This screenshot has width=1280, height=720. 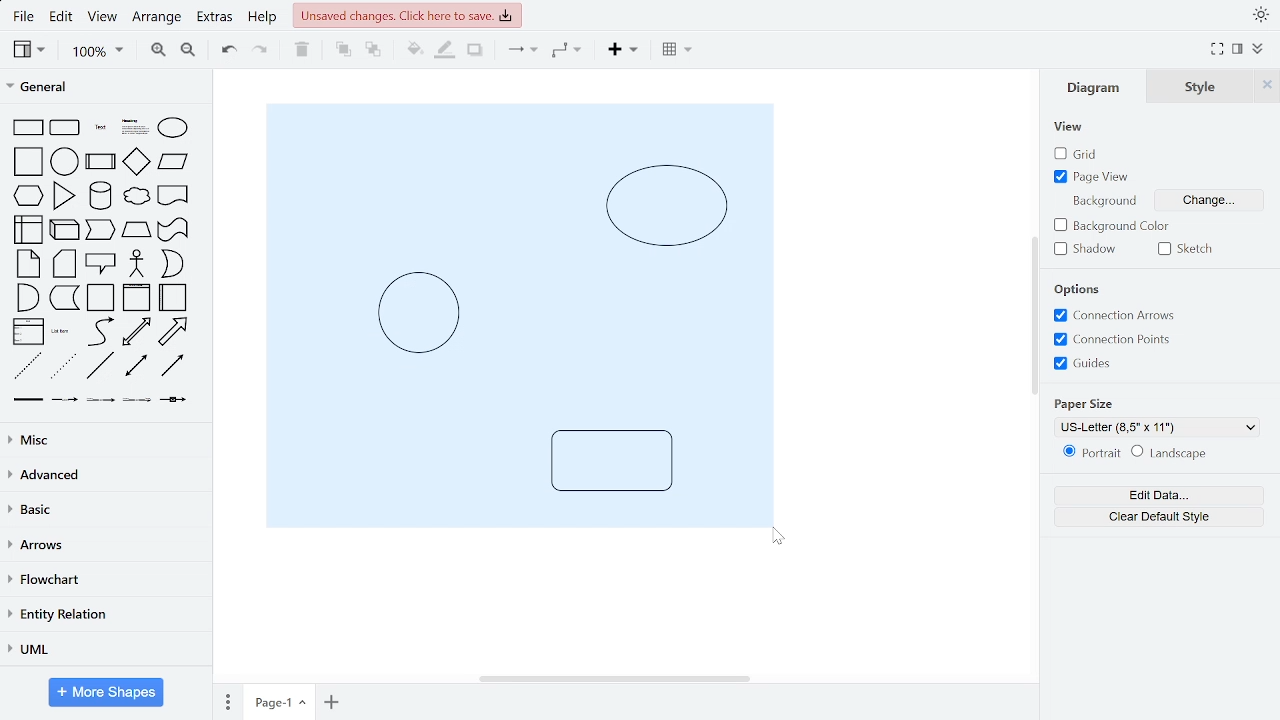 I want to click on container, so click(x=102, y=298).